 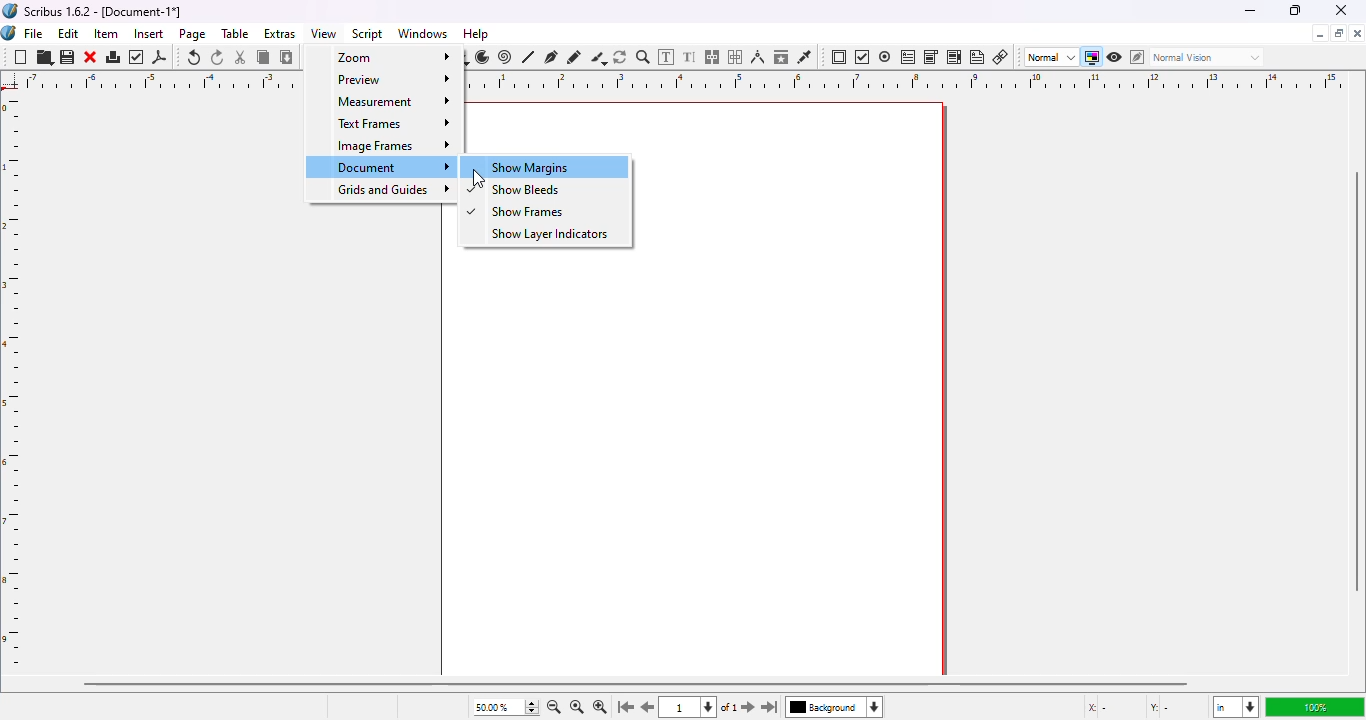 What do you see at coordinates (45, 58) in the screenshot?
I see `open` at bounding box center [45, 58].